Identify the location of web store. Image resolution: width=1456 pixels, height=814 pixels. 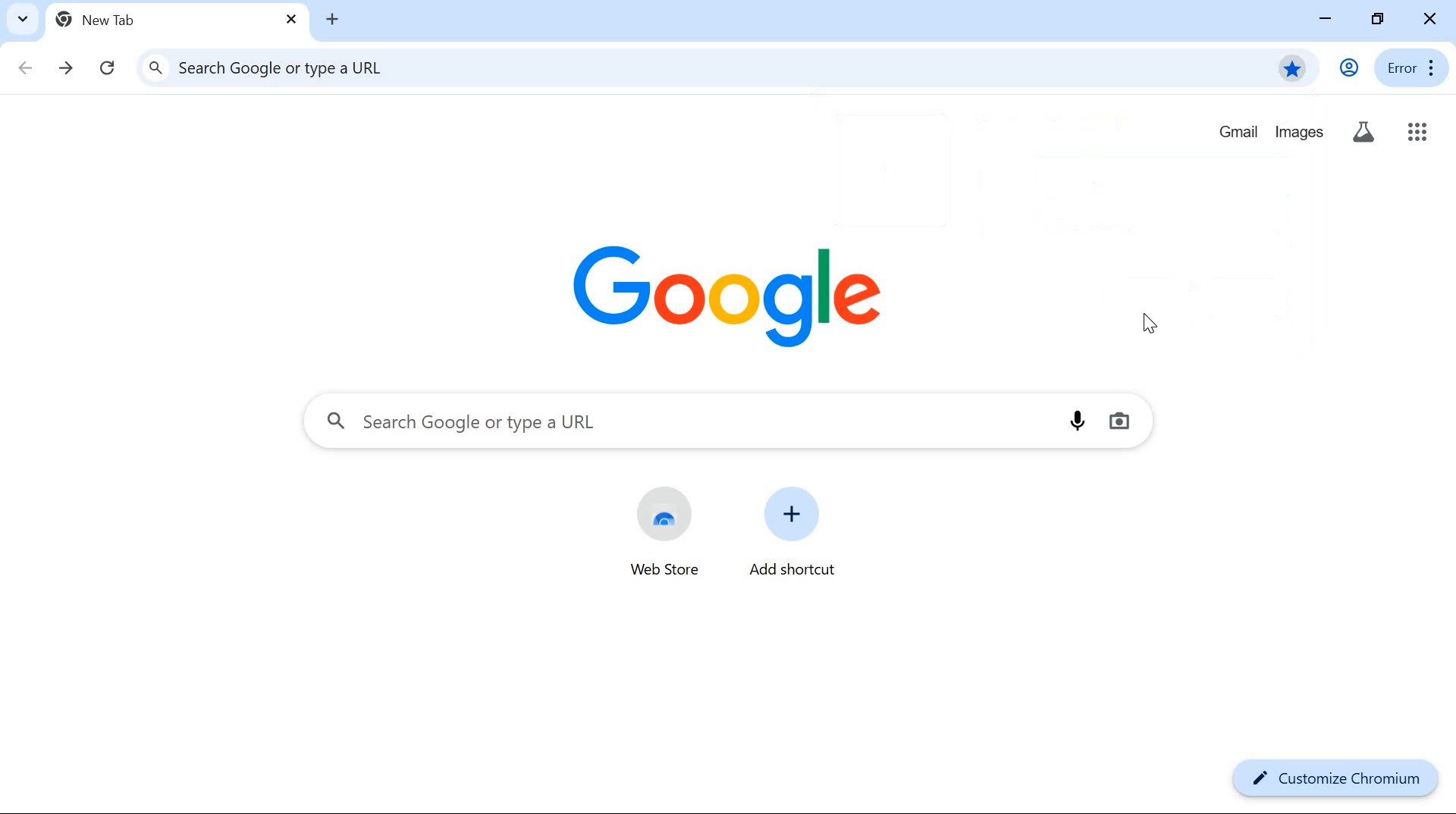
(666, 536).